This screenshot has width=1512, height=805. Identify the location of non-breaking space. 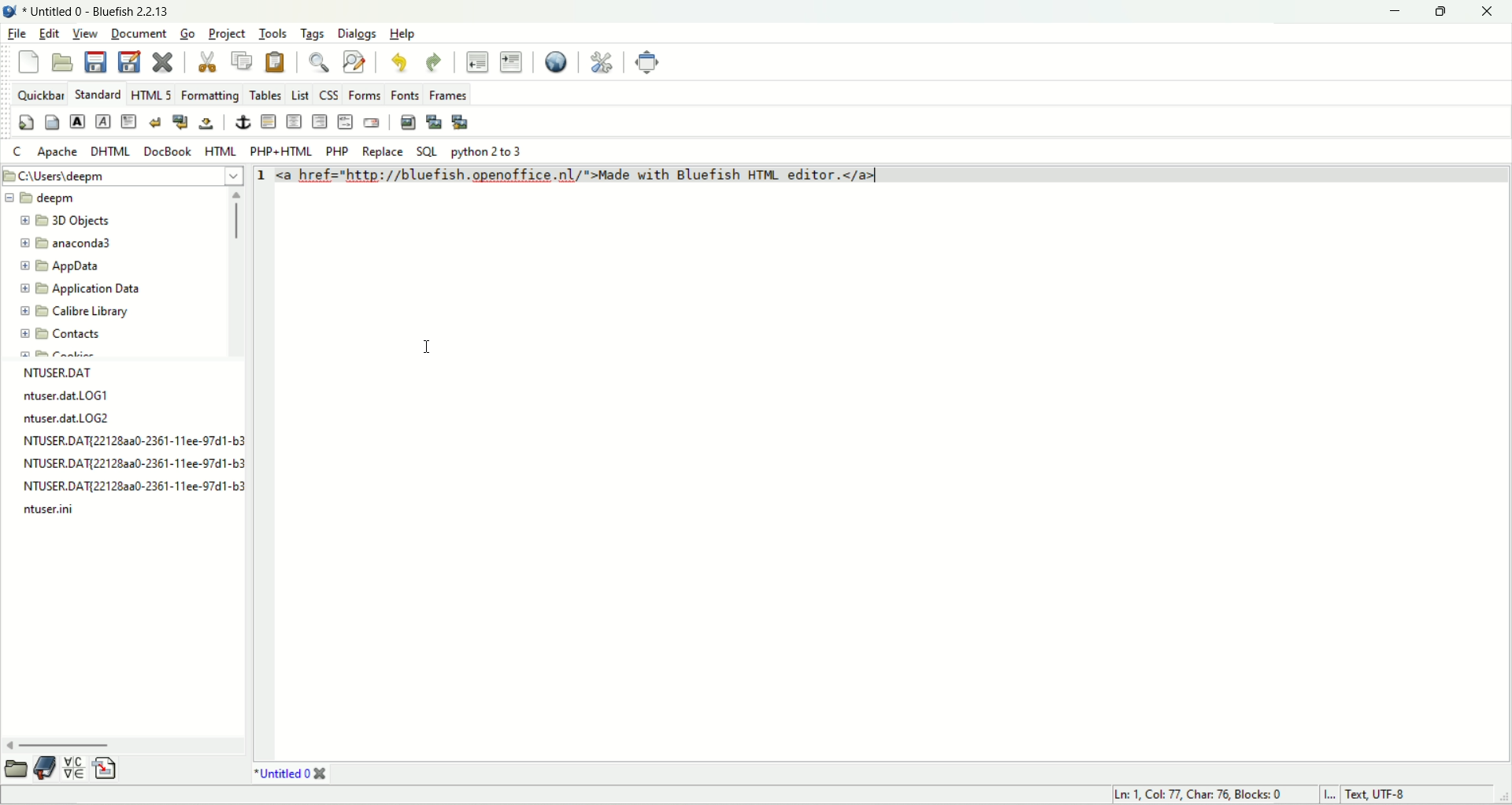
(207, 125).